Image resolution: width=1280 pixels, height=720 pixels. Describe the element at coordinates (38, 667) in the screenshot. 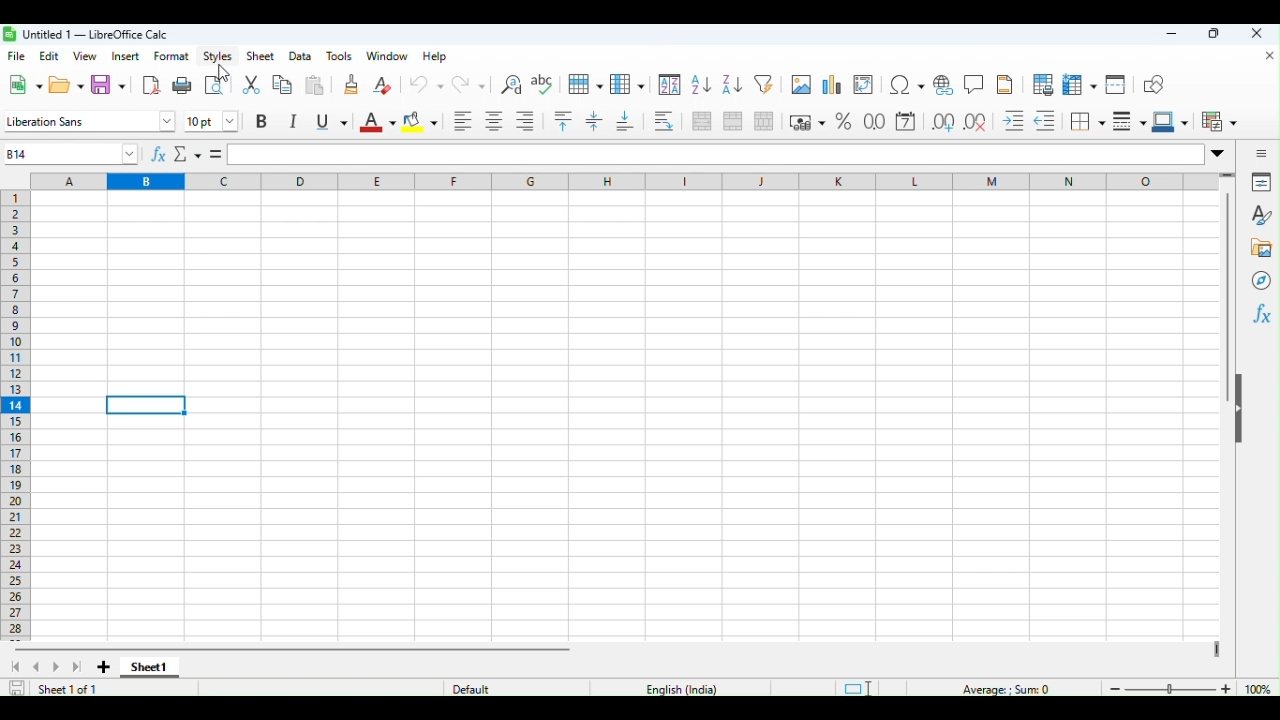

I see `Previous sheet` at that location.